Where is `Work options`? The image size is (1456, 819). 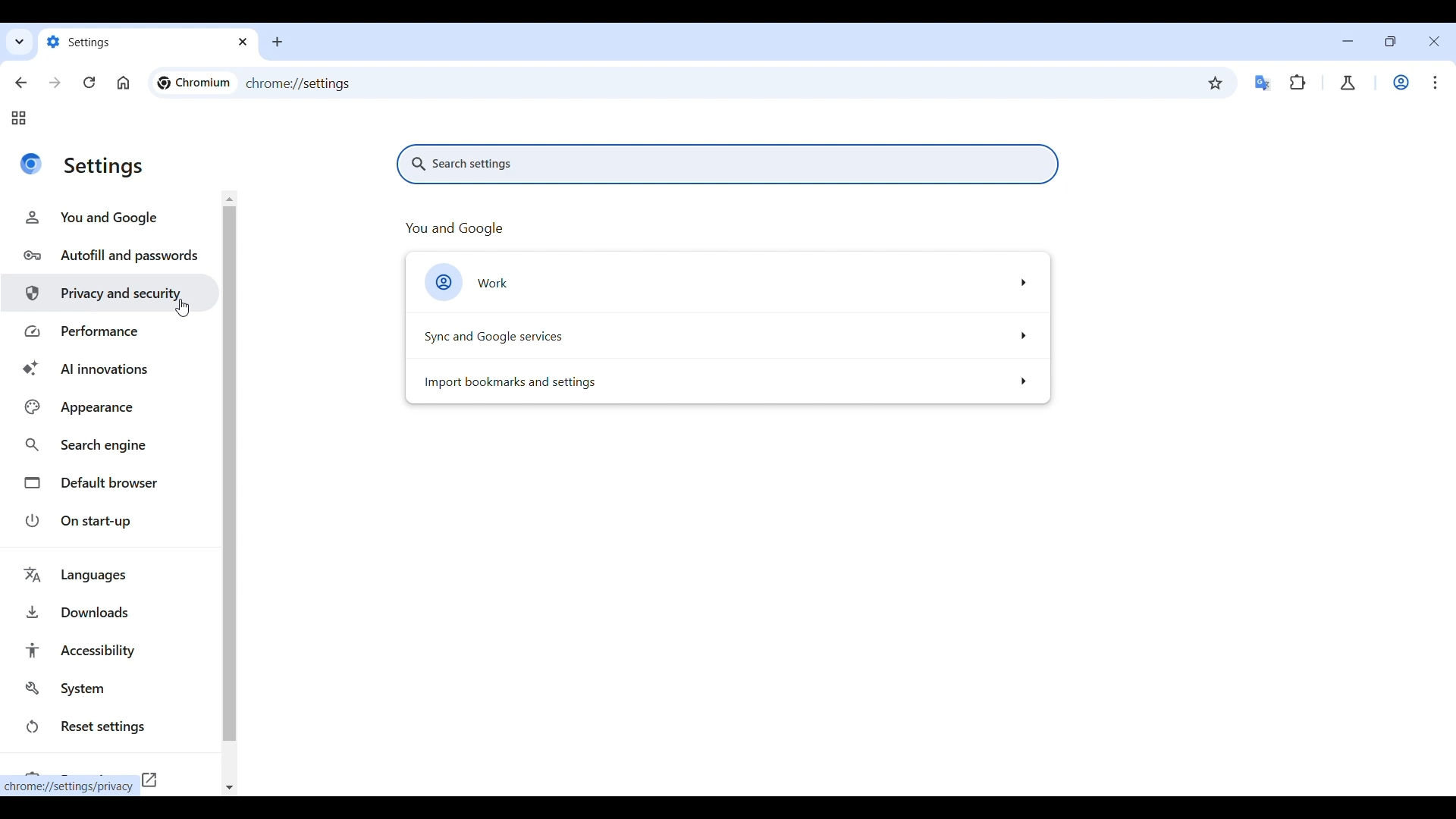
Work options is located at coordinates (730, 281).